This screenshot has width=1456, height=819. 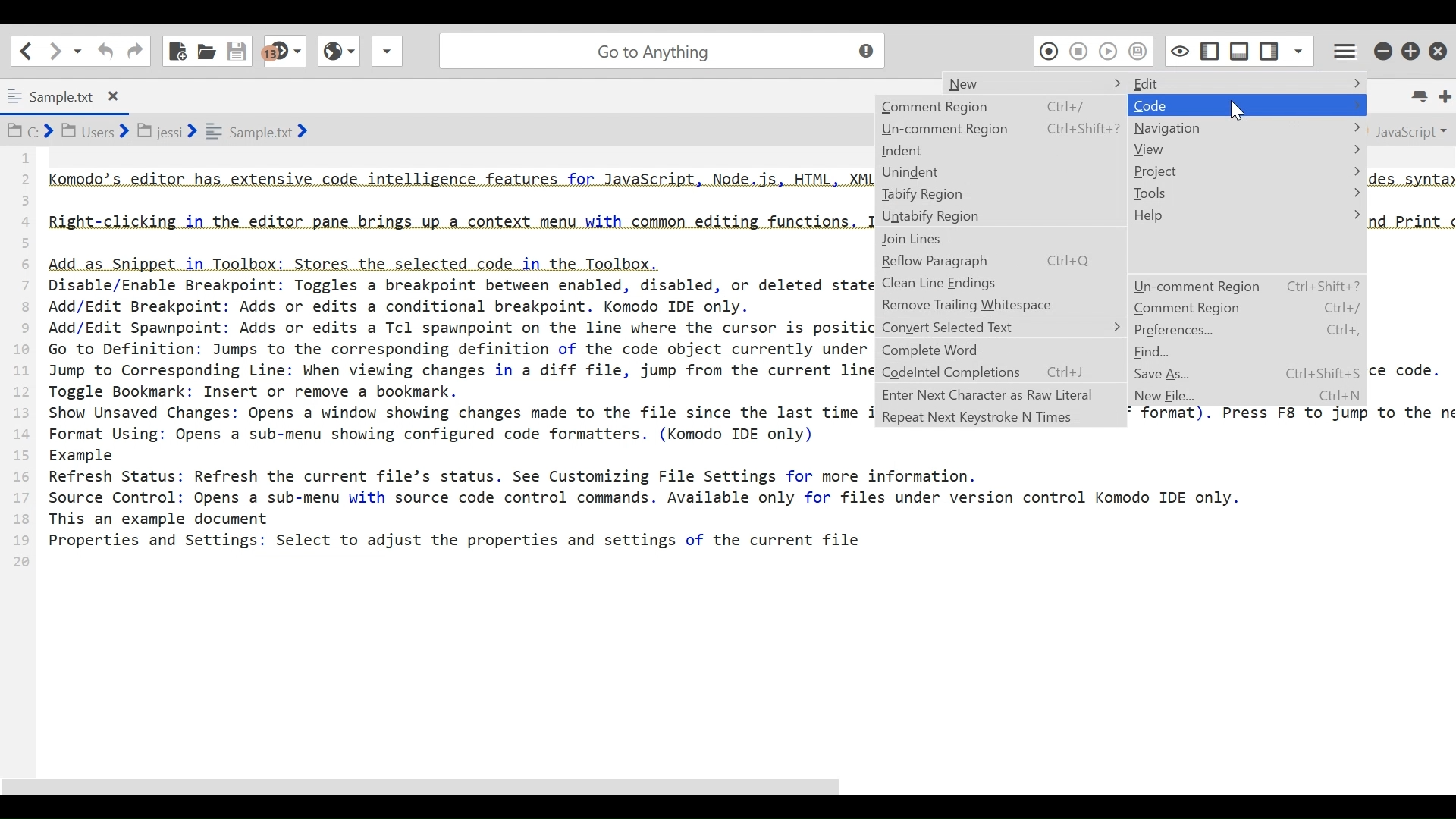 What do you see at coordinates (1141, 50) in the screenshot?
I see `Save Macro to Toolboz as Superscript` at bounding box center [1141, 50].